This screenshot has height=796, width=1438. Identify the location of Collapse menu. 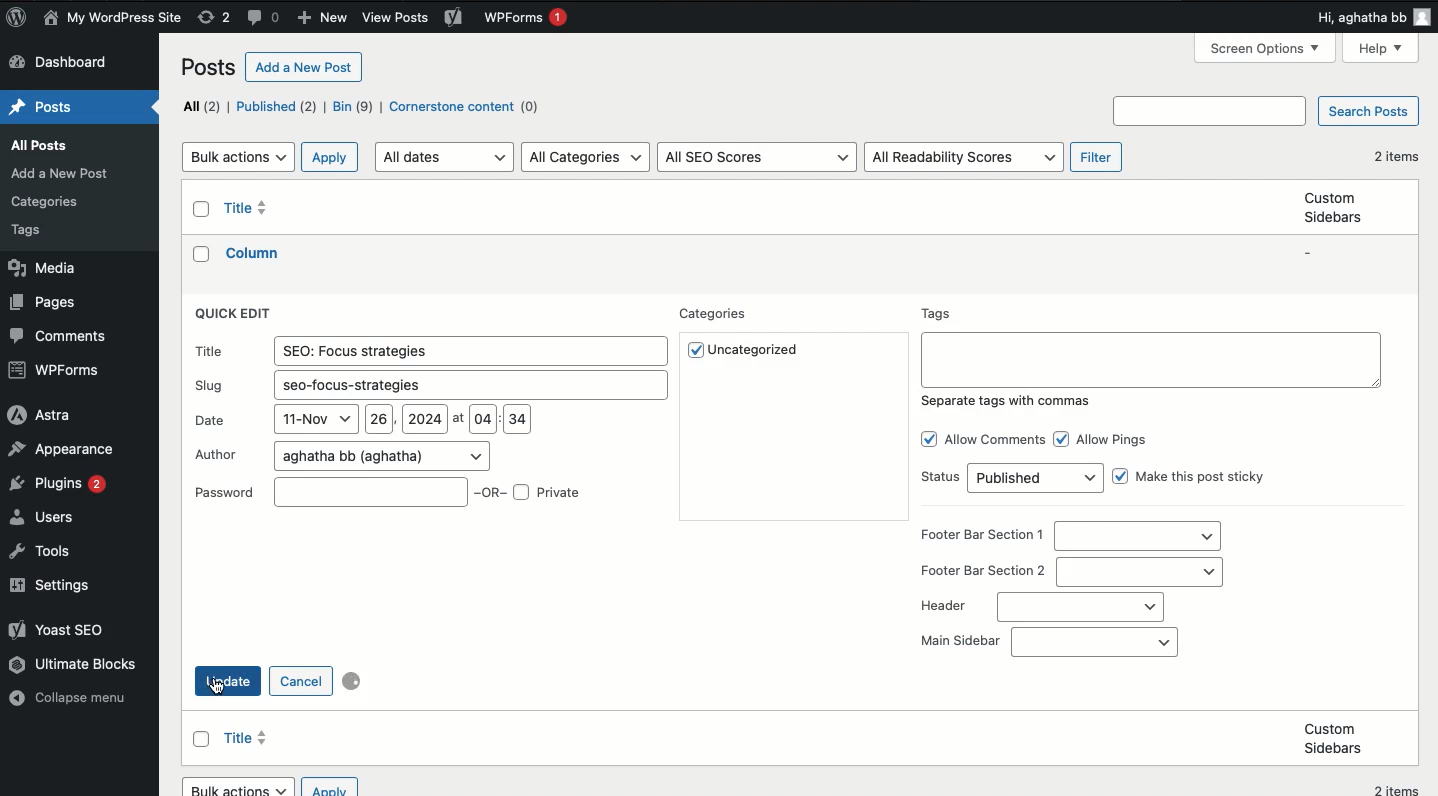
(74, 700).